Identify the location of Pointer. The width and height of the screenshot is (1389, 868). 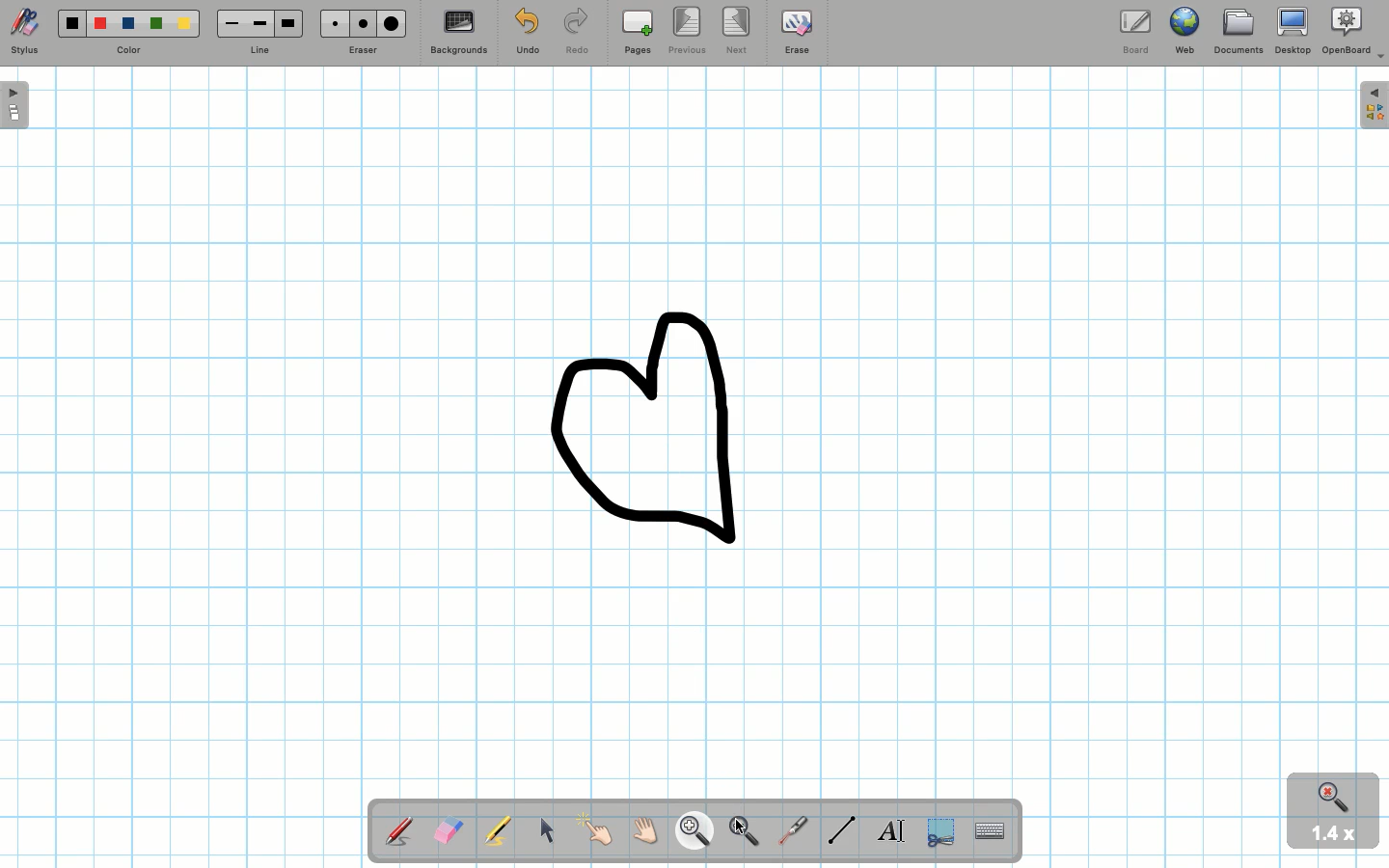
(744, 817).